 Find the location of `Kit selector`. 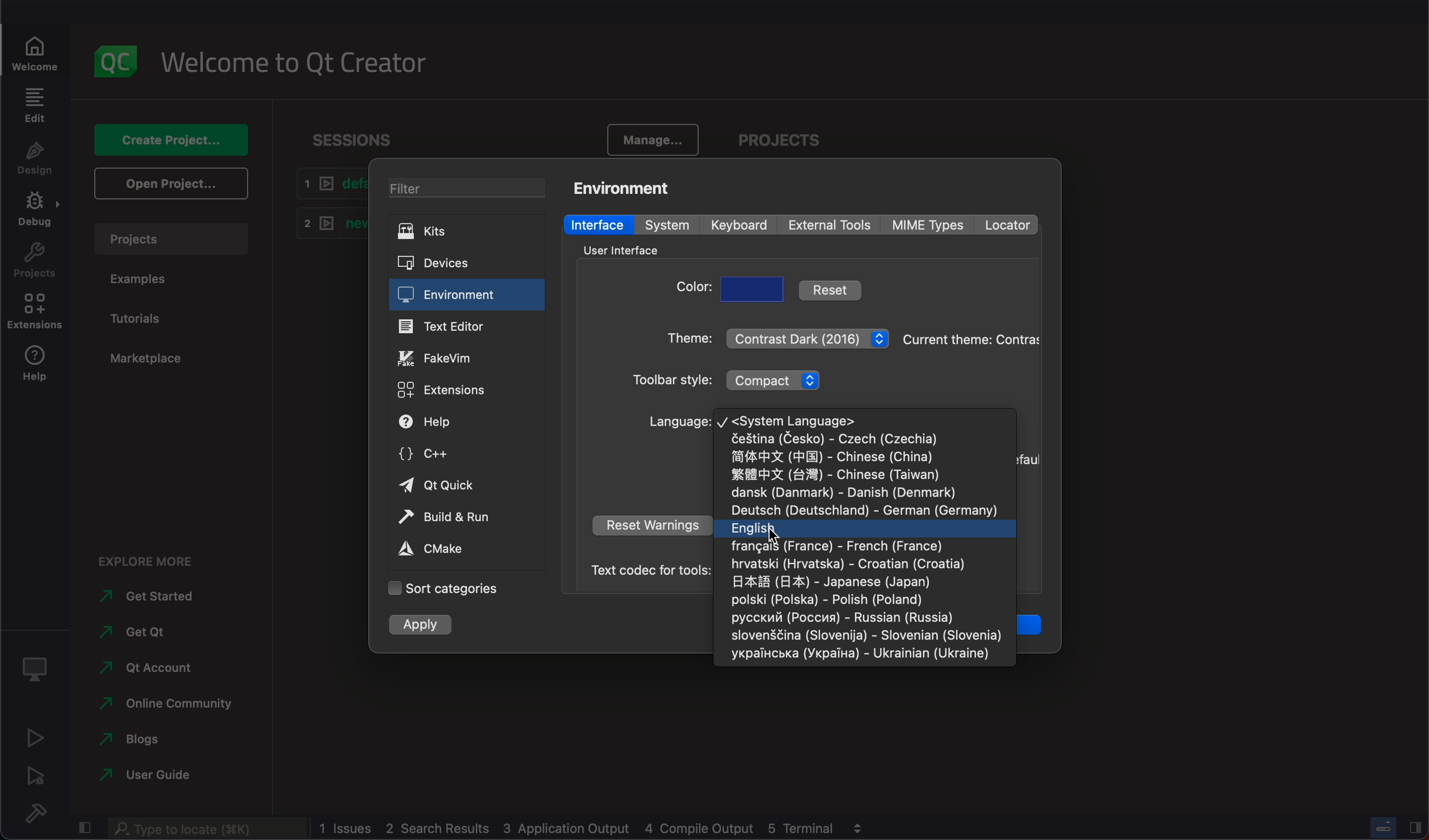

Kit selector is located at coordinates (34, 665).